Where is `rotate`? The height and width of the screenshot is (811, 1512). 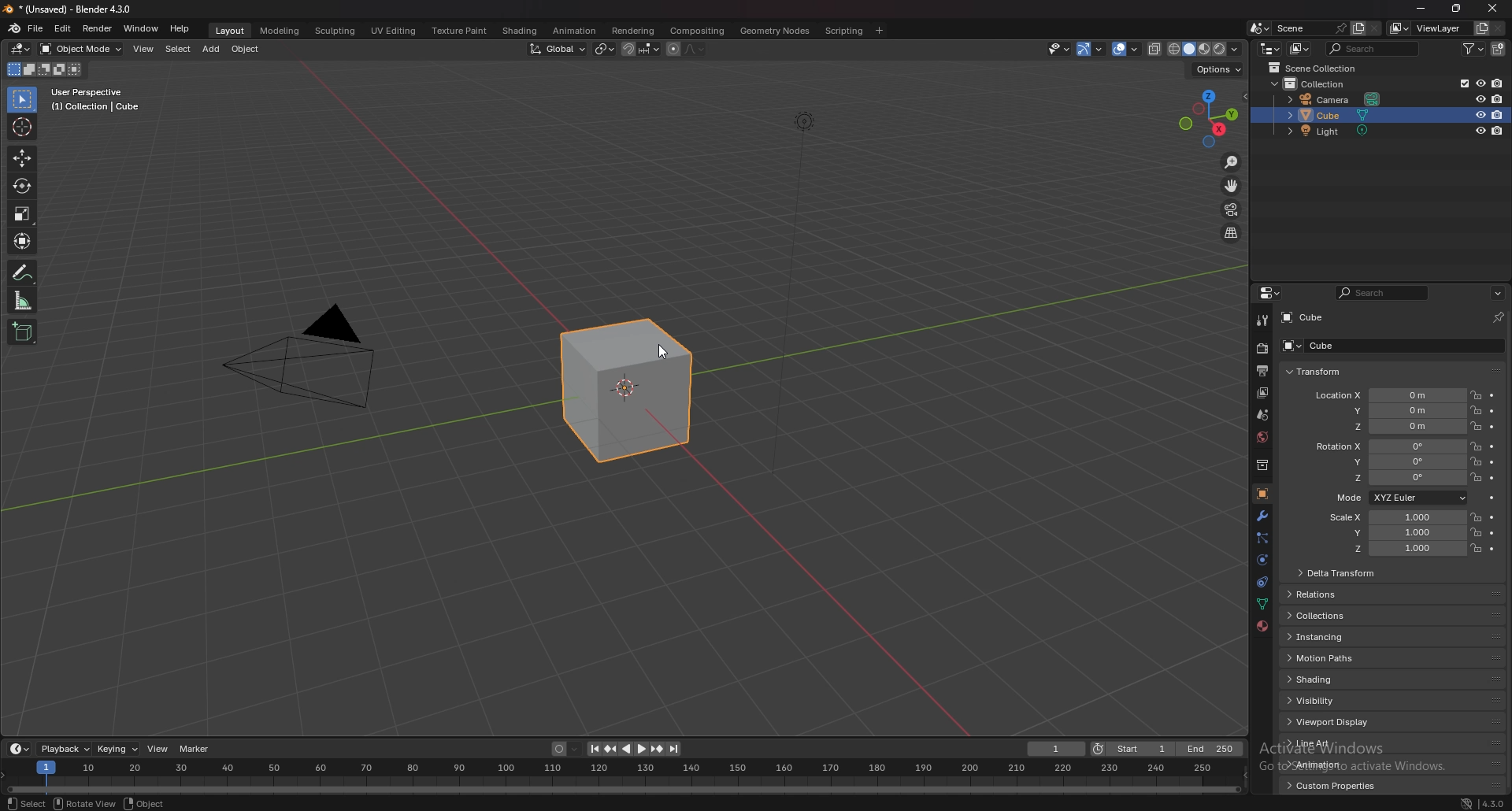 rotate is located at coordinates (21, 186).